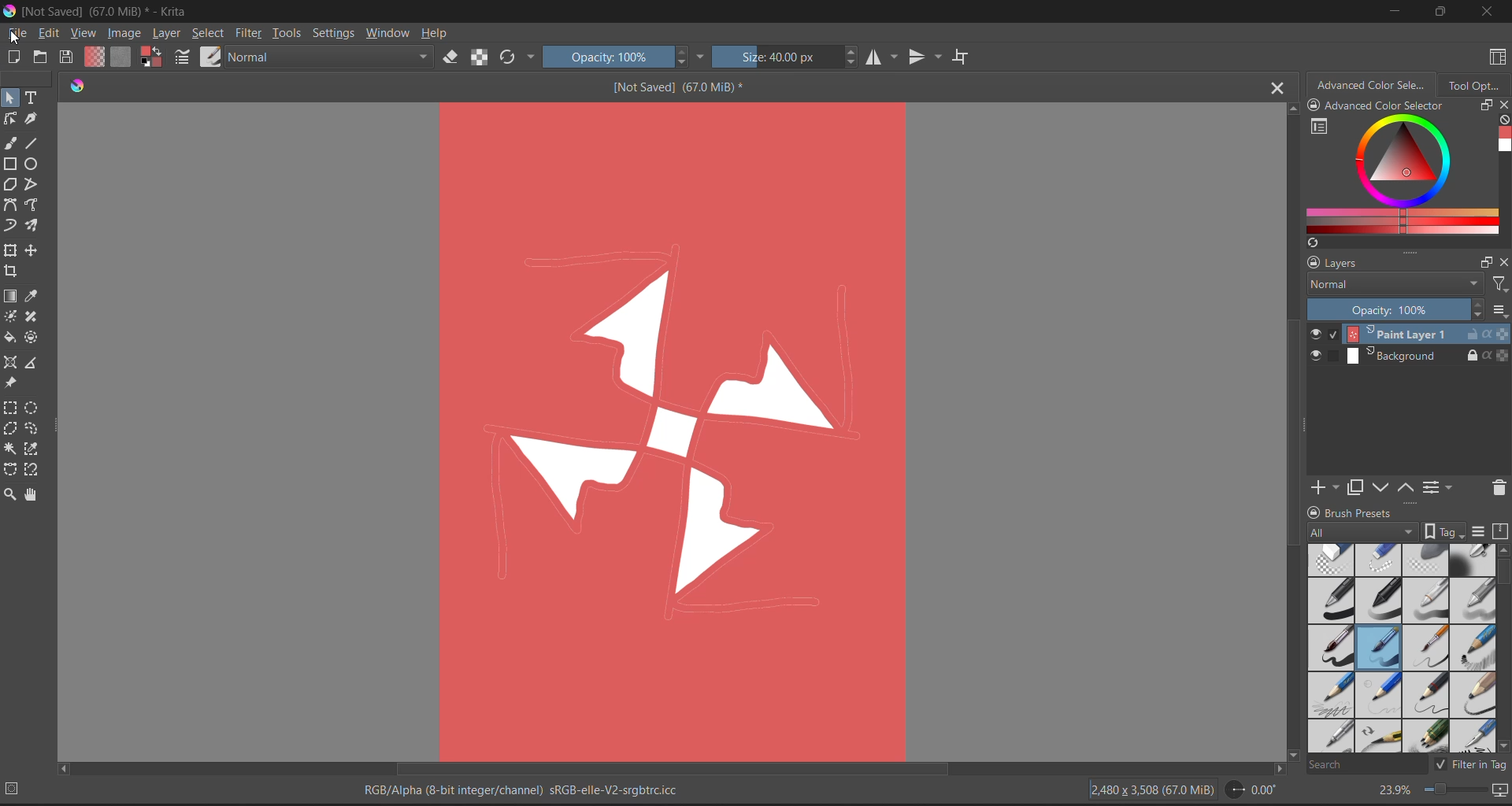  What do you see at coordinates (439, 35) in the screenshot?
I see `help` at bounding box center [439, 35].